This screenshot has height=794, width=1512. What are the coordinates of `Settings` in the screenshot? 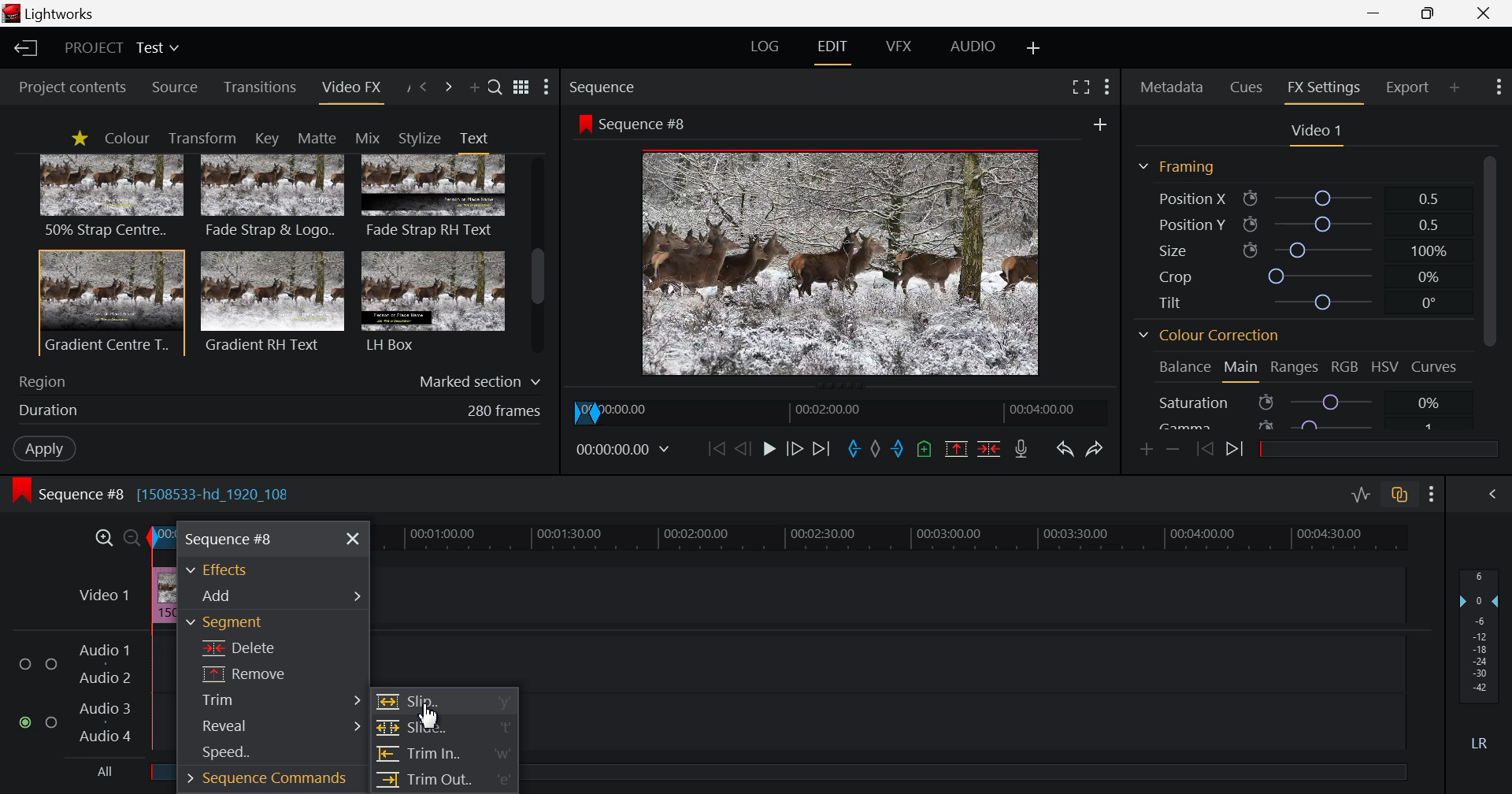 It's located at (1432, 495).